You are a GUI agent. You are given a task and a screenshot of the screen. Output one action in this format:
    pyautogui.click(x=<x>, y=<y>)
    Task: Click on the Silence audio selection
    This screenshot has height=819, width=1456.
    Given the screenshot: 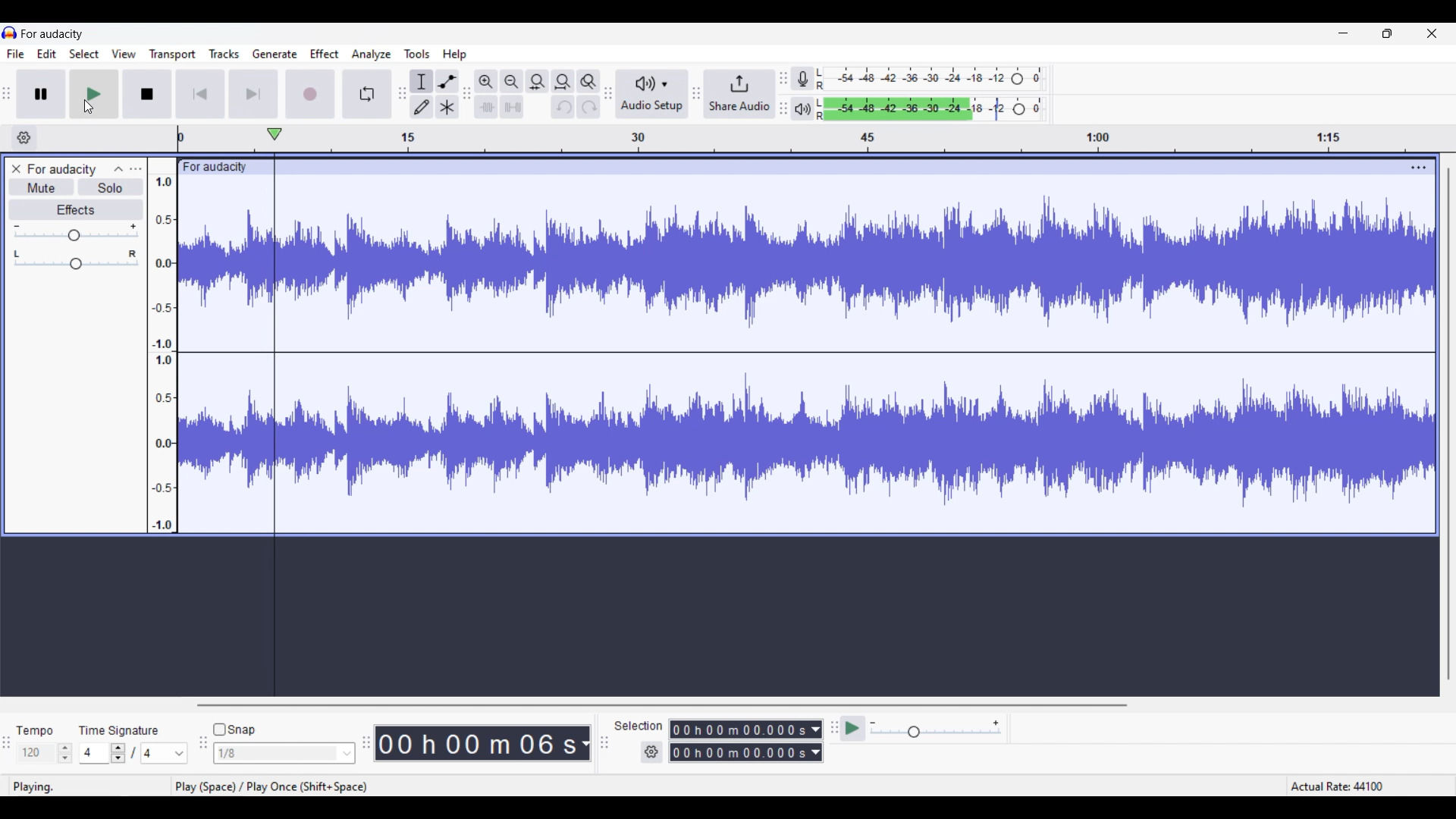 What is the action you would take?
    pyautogui.click(x=513, y=107)
    